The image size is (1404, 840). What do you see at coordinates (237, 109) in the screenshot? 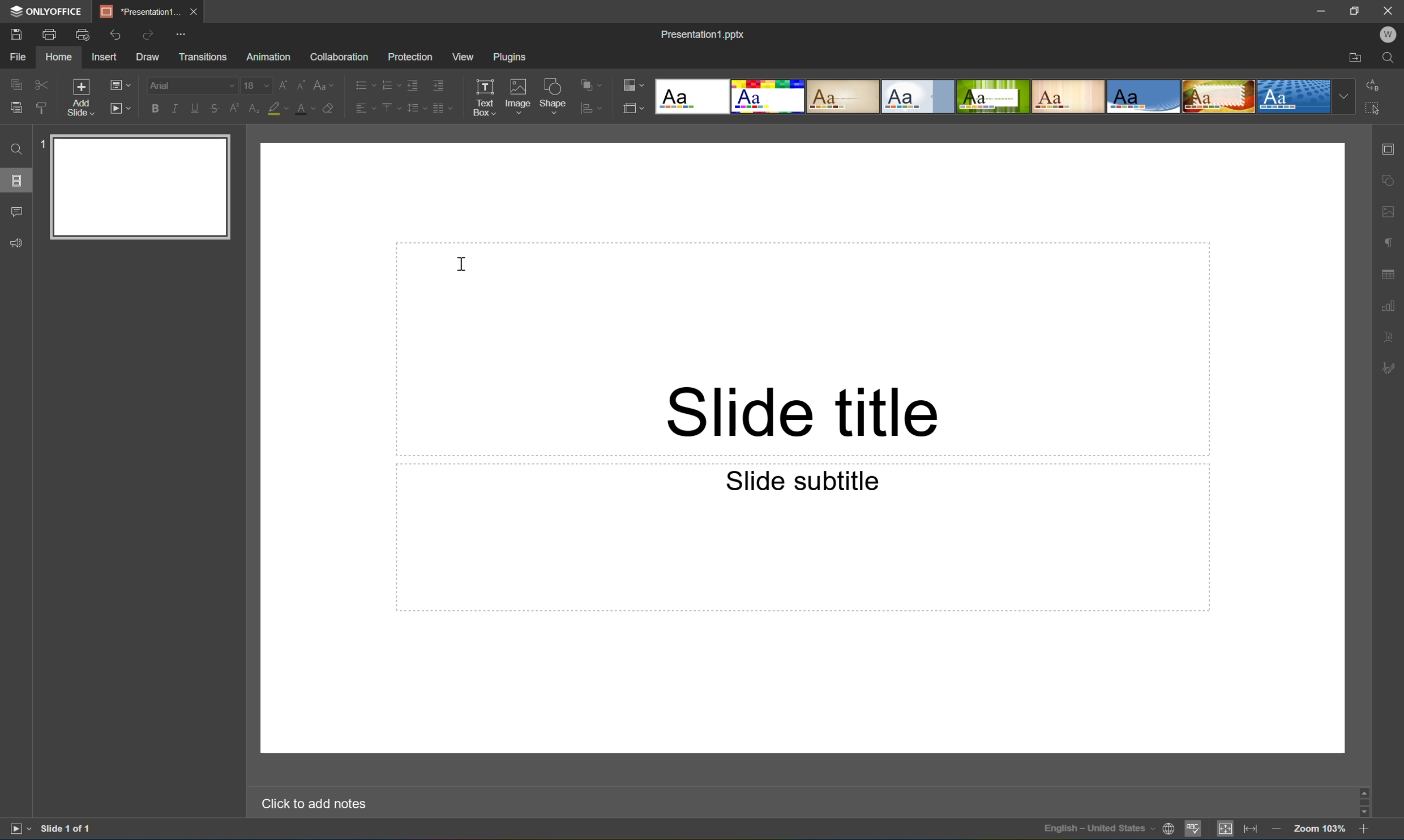
I see `Superscript` at bounding box center [237, 109].